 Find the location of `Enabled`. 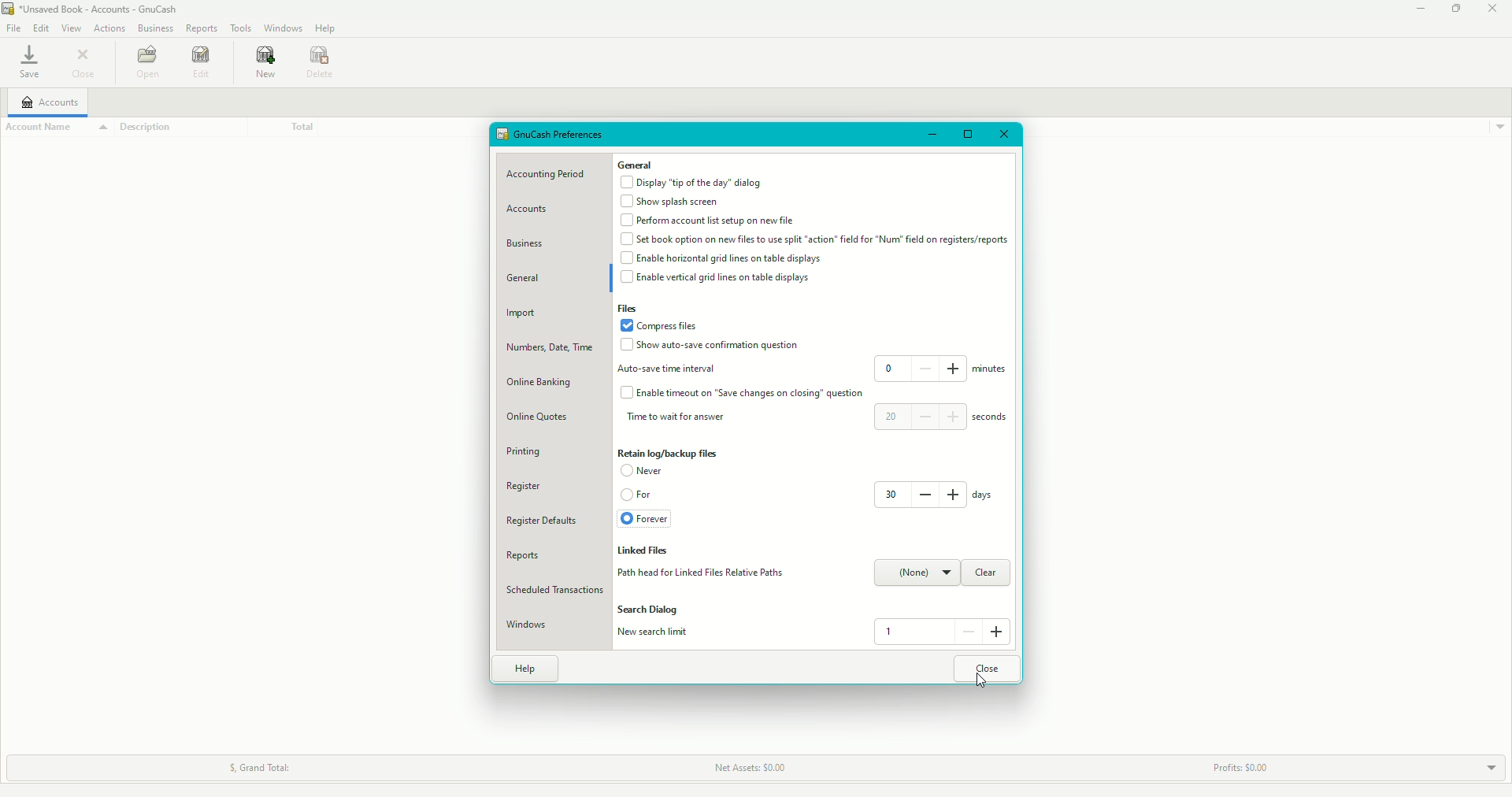

Enabled is located at coordinates (626, 517).